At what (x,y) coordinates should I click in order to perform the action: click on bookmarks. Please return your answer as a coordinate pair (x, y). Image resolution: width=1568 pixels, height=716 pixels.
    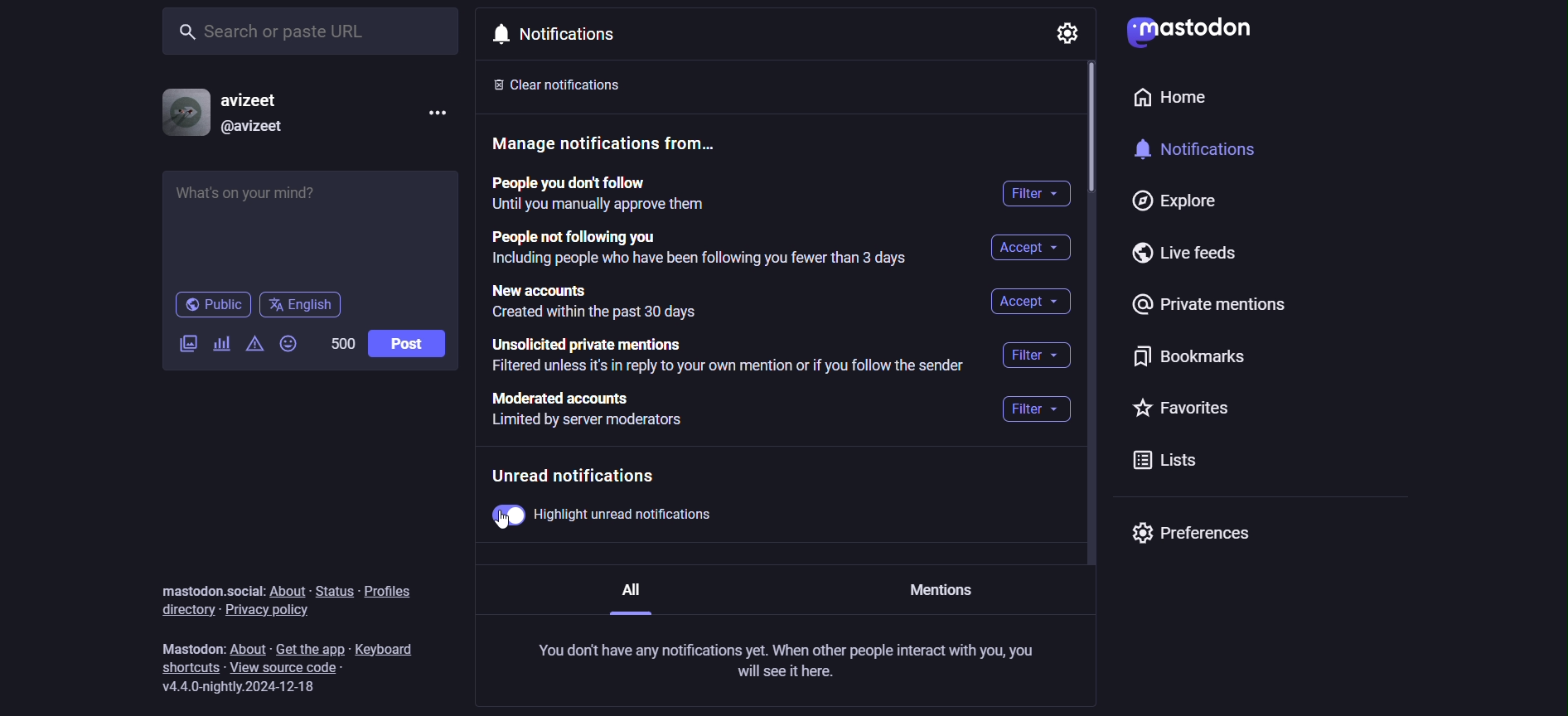
    Looking at the image, I should click on (1184, 361).